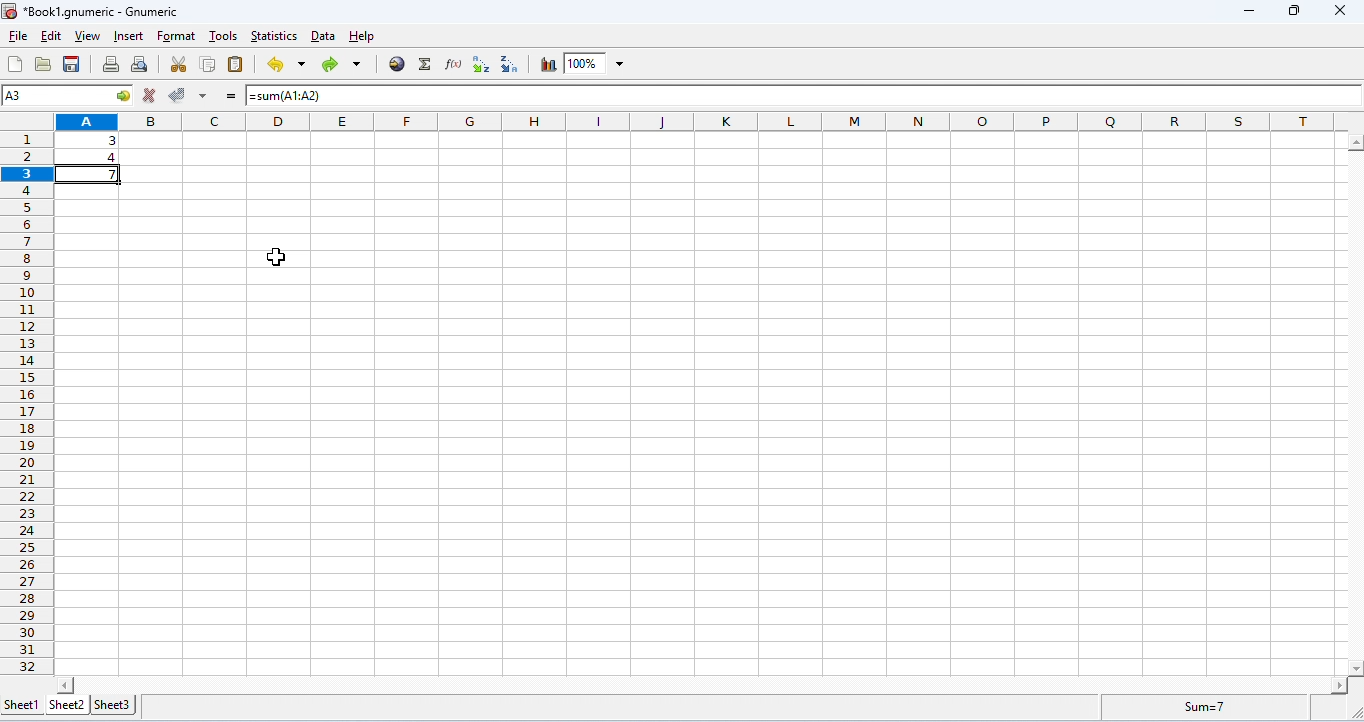 This screenshot has width=1364, height=722. What do you see at coordinates (323, 37) in the screenshot?
I see `data` at bounding box center [323, 37].